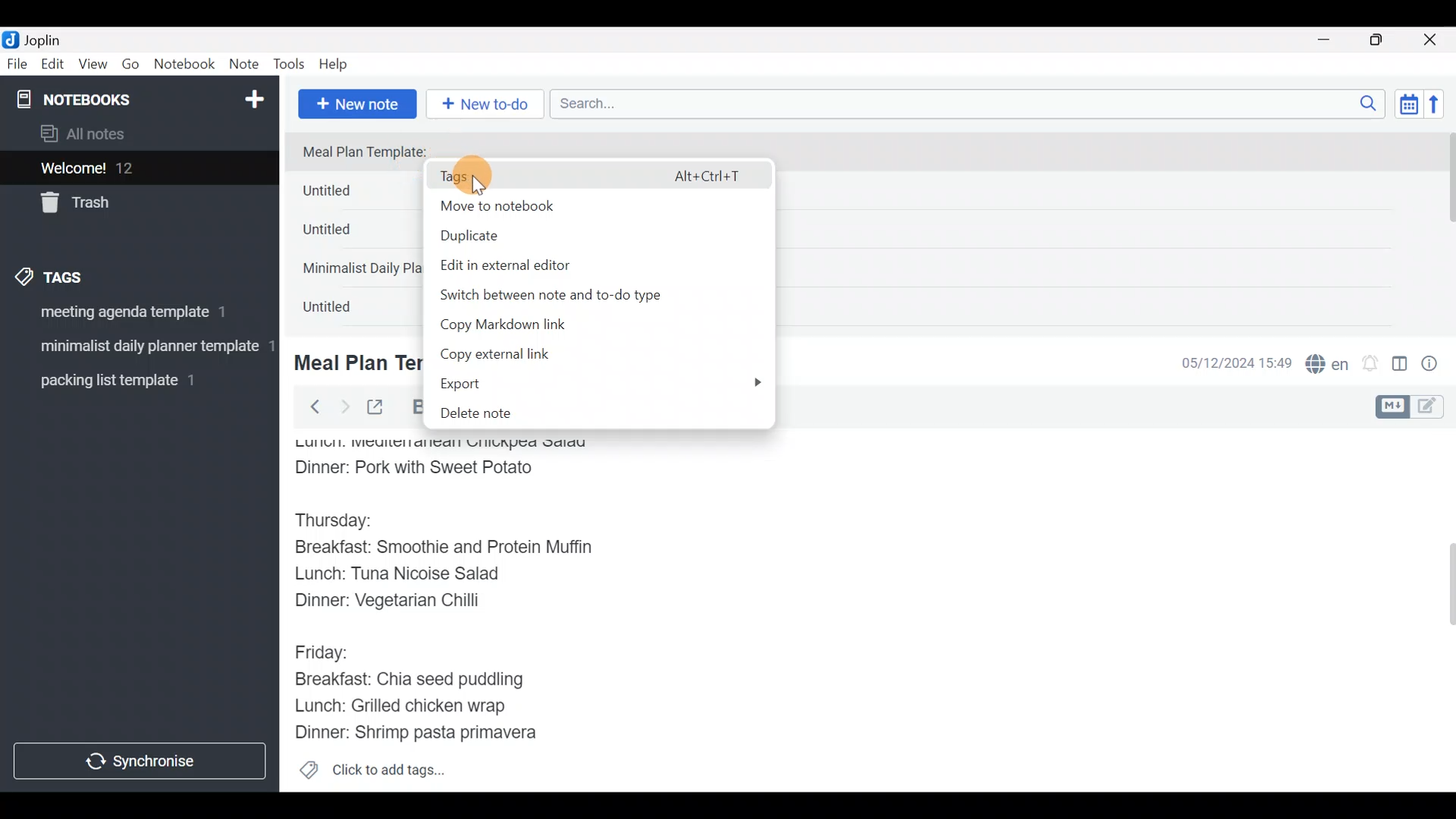 This screenshot has width=1456, height=819. Describe the element at coordinates (410, 577) in the screenshot. I see `Lunch: Tuna Nicoise Salad` at that location.